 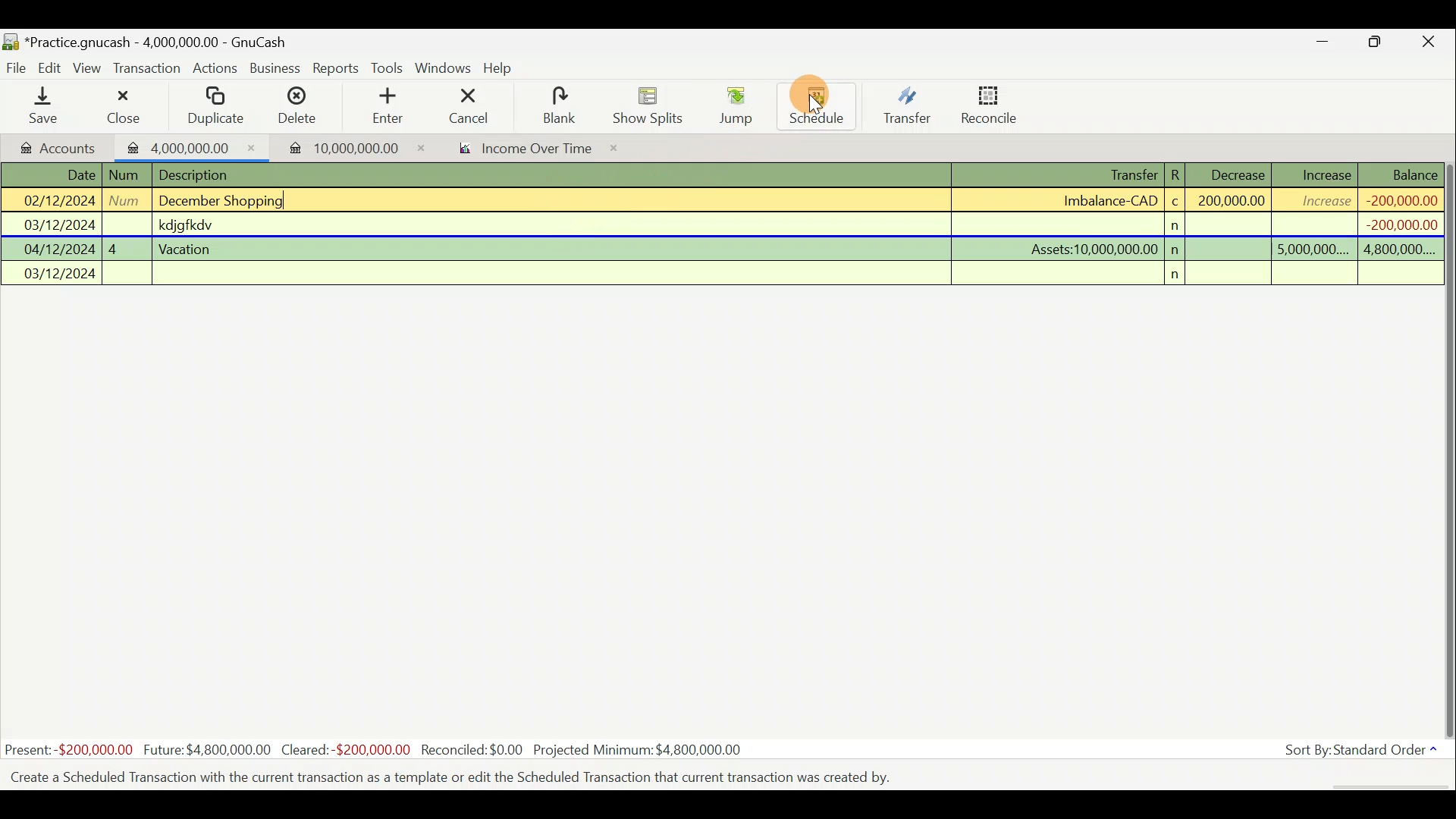 What do you see at coordinates (212, 107) in the screenshot?
I see `Duplicate` at bounding box center [212, 107].